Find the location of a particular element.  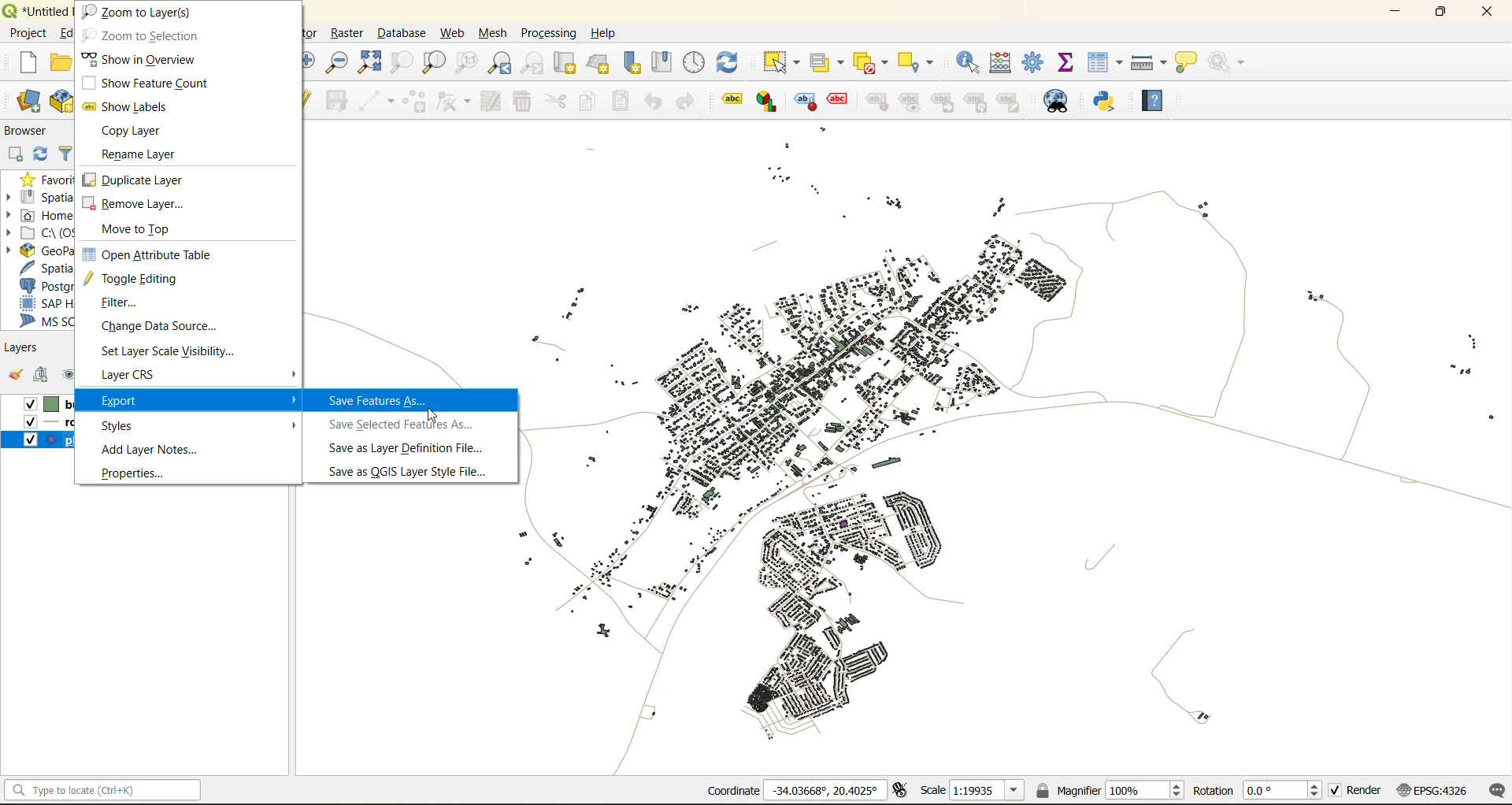

magnifier is located at coordinates (1112, 789).